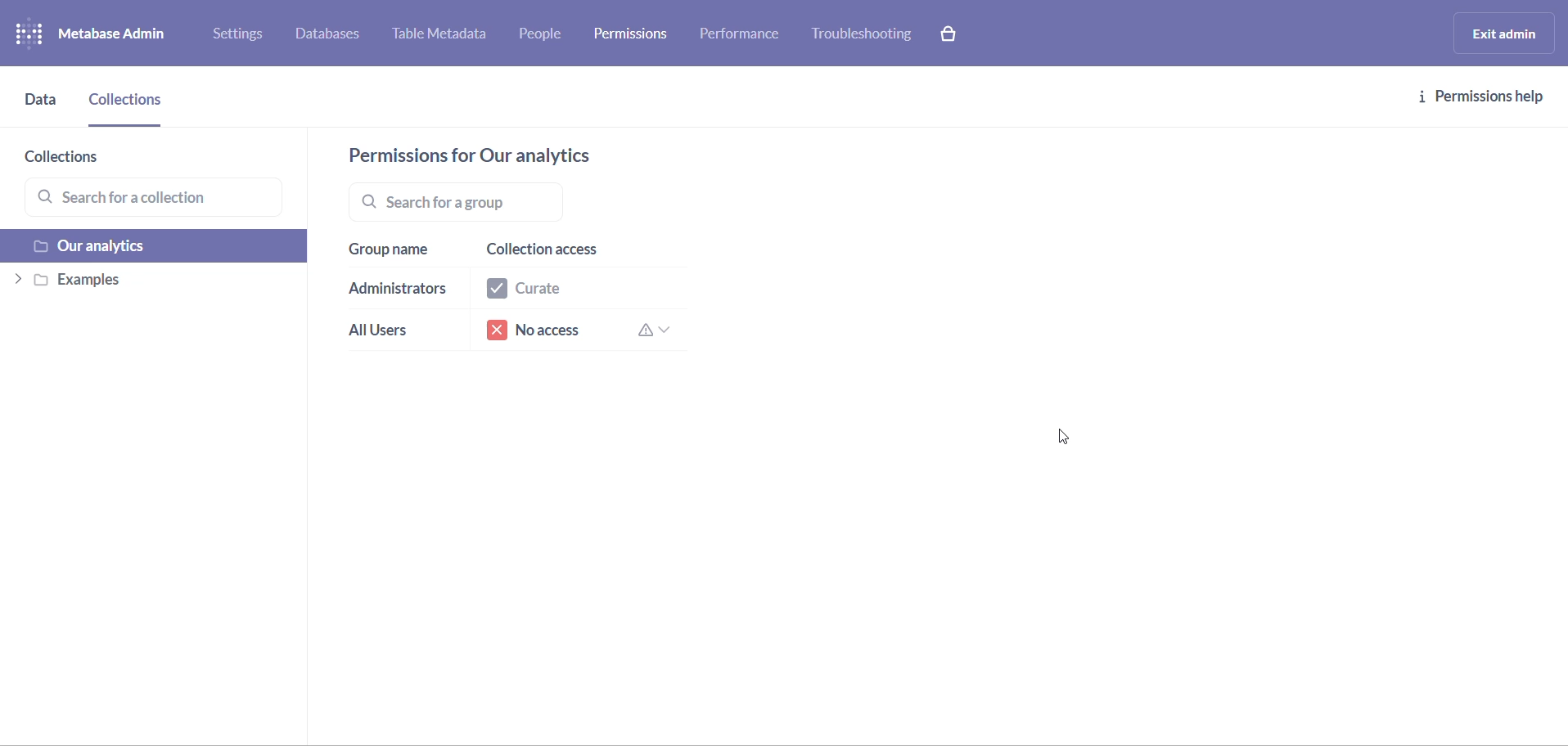 This screenshot has width=1568, height=746. I want to click on troubleshooting, so click(863, 34).